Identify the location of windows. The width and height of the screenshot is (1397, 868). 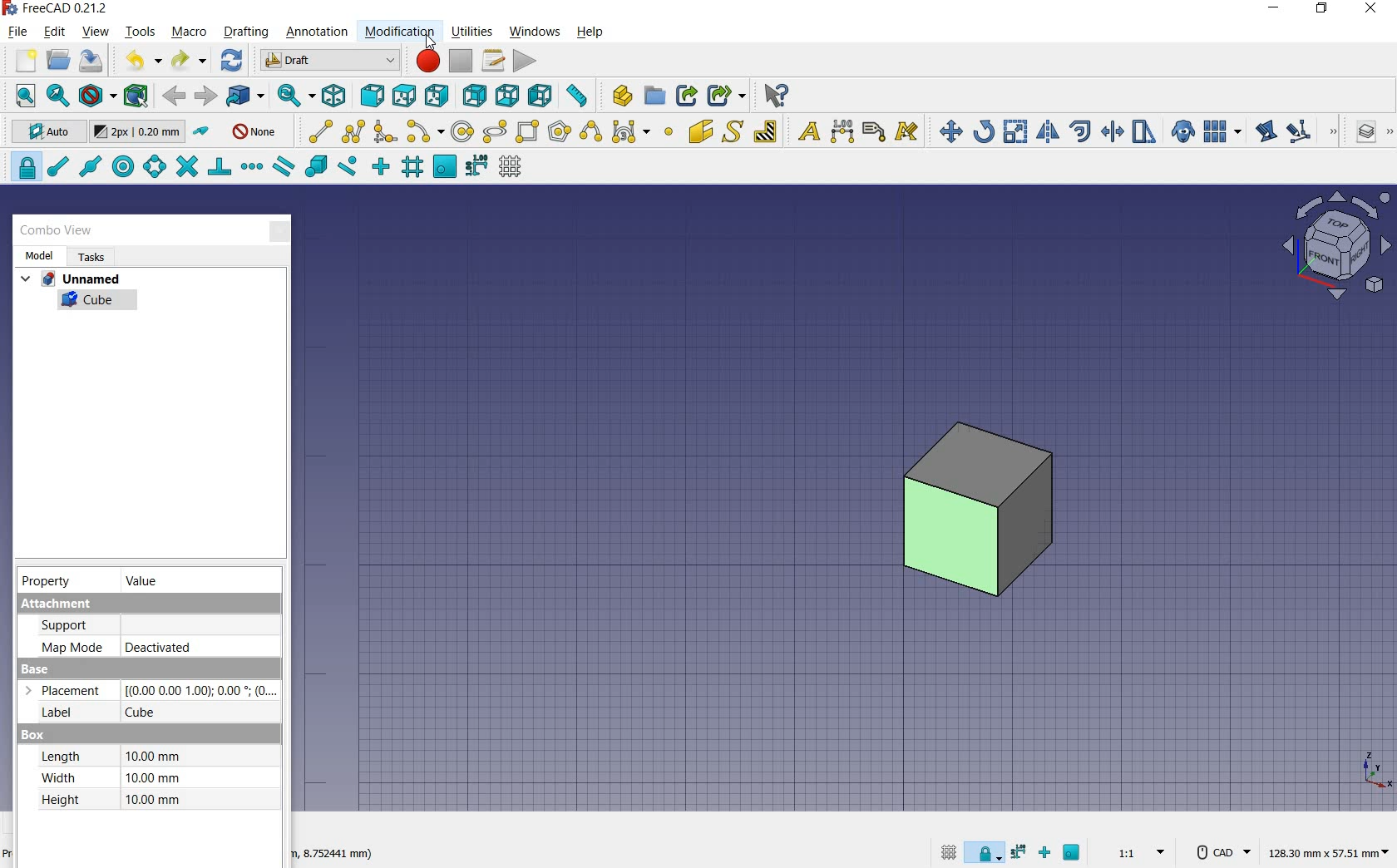
(534, 32).